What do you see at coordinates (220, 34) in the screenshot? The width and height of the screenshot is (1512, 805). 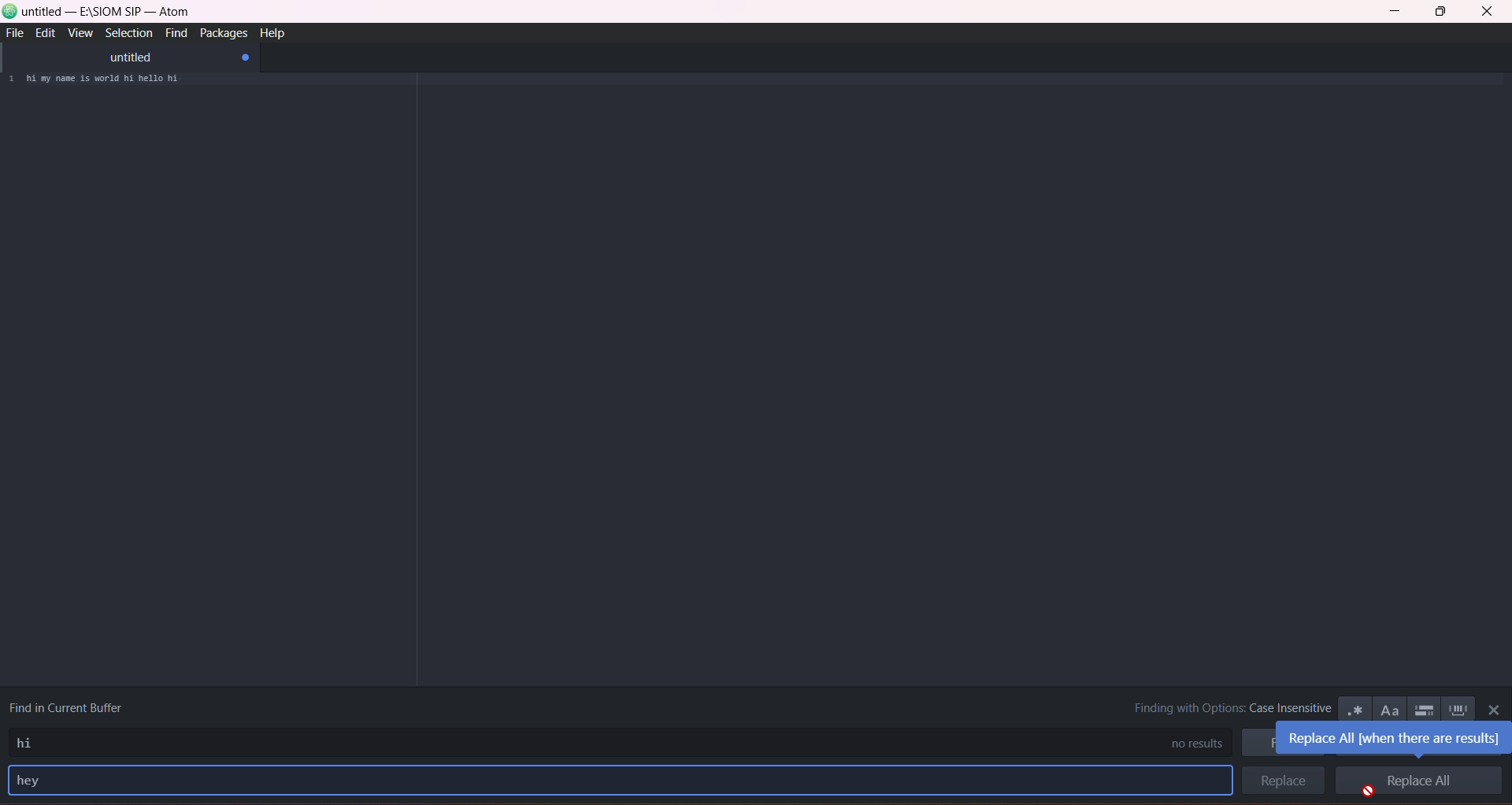 I see `packages` at bounding box center [220, 34].